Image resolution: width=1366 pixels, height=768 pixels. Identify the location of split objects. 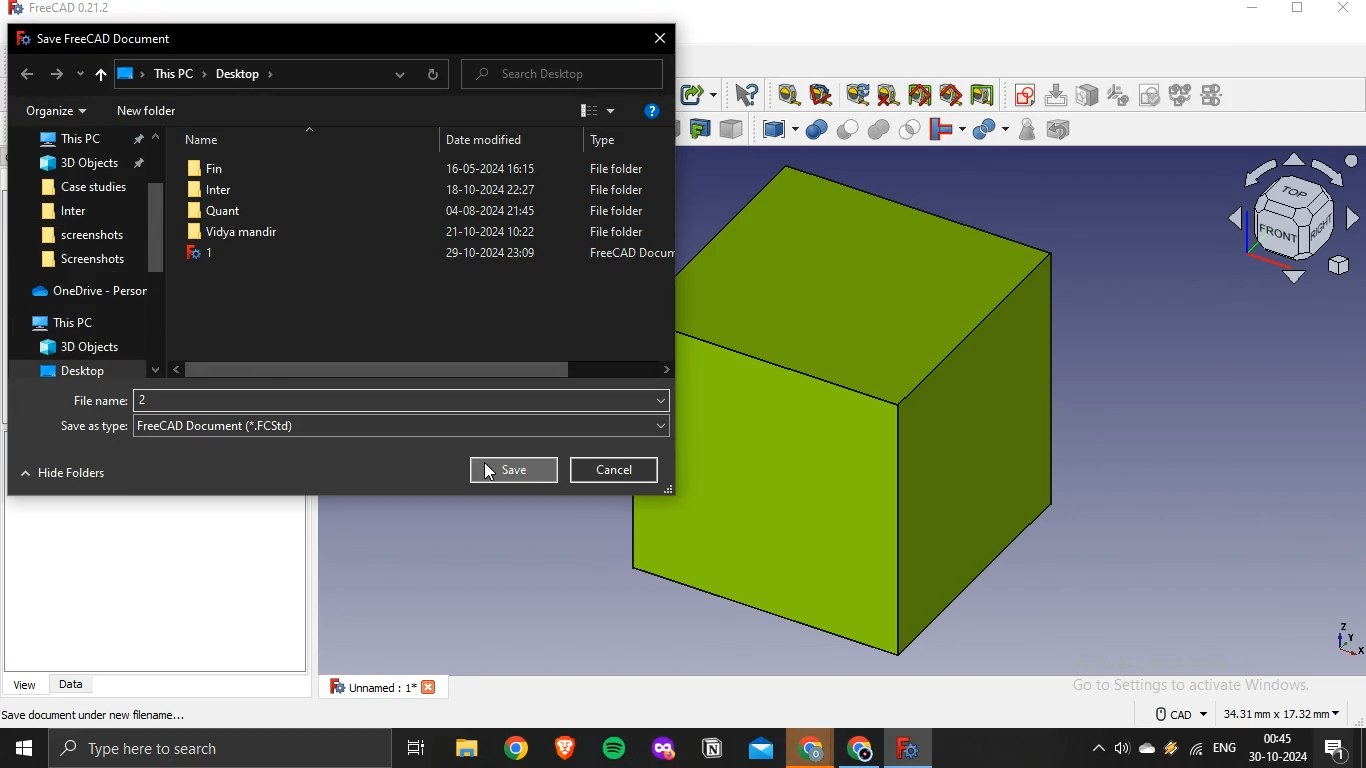
(989, 128).